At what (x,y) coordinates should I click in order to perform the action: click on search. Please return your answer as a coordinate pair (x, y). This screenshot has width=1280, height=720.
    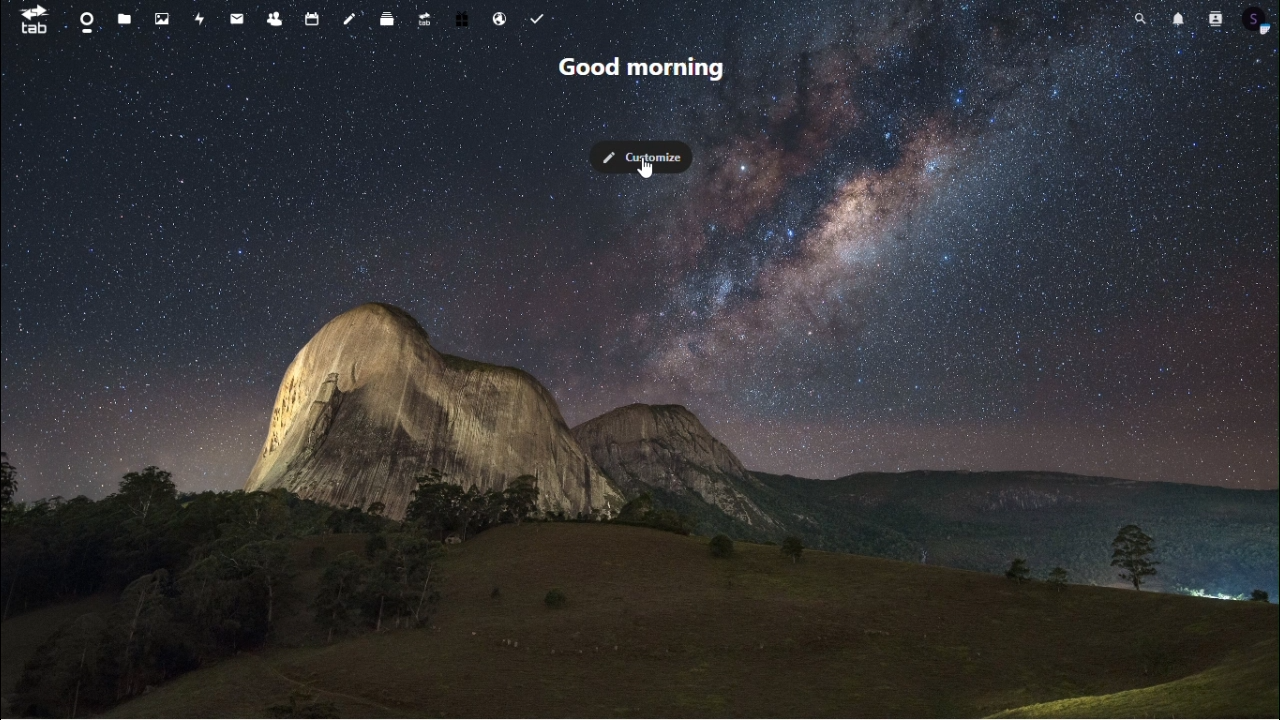
    Looking at the image, I should click on (1135, 23).